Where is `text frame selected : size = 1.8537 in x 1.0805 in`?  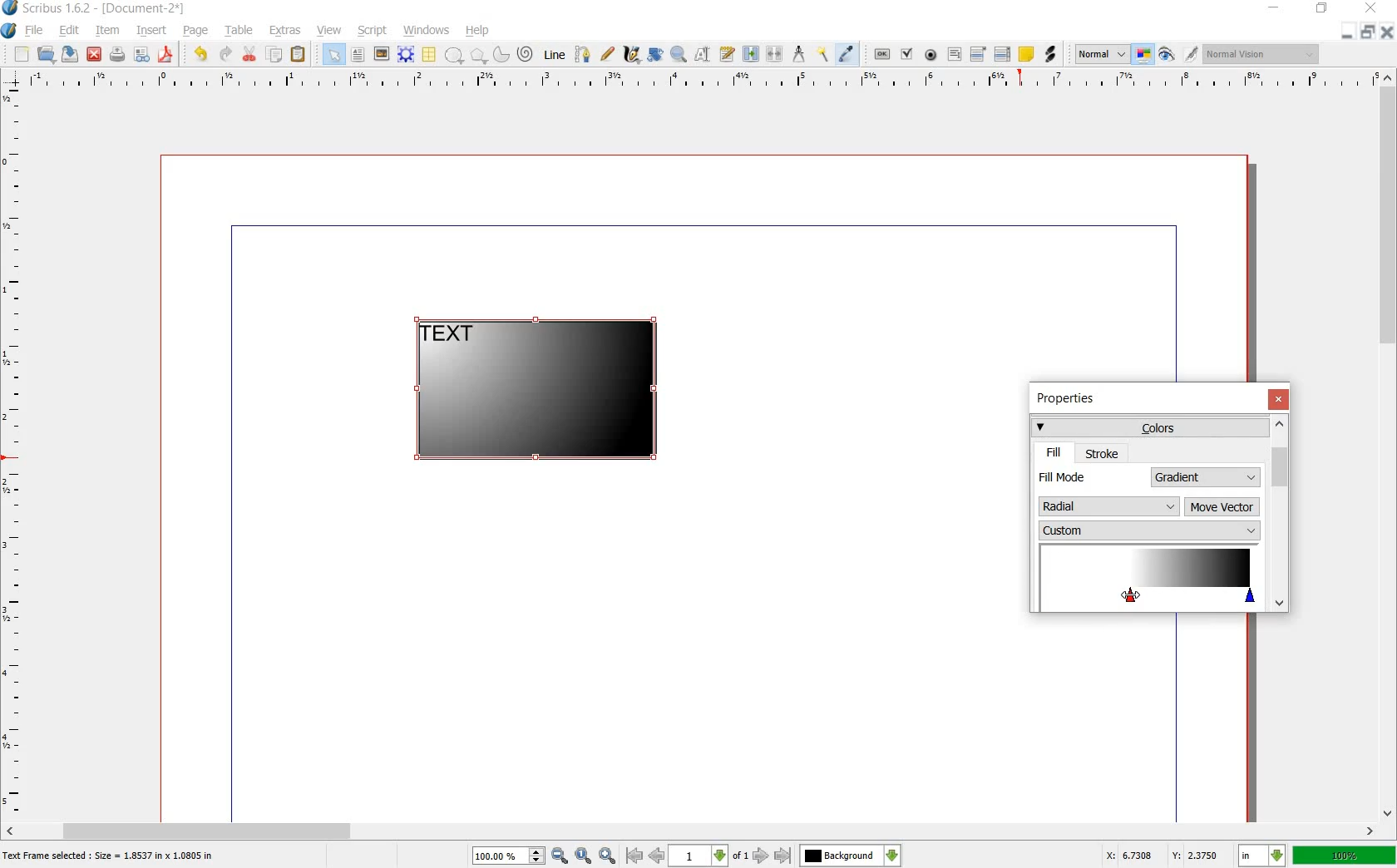 text frame selected : size = 1.8537 in x 1.0805 in is located at coordinates (111, 857).